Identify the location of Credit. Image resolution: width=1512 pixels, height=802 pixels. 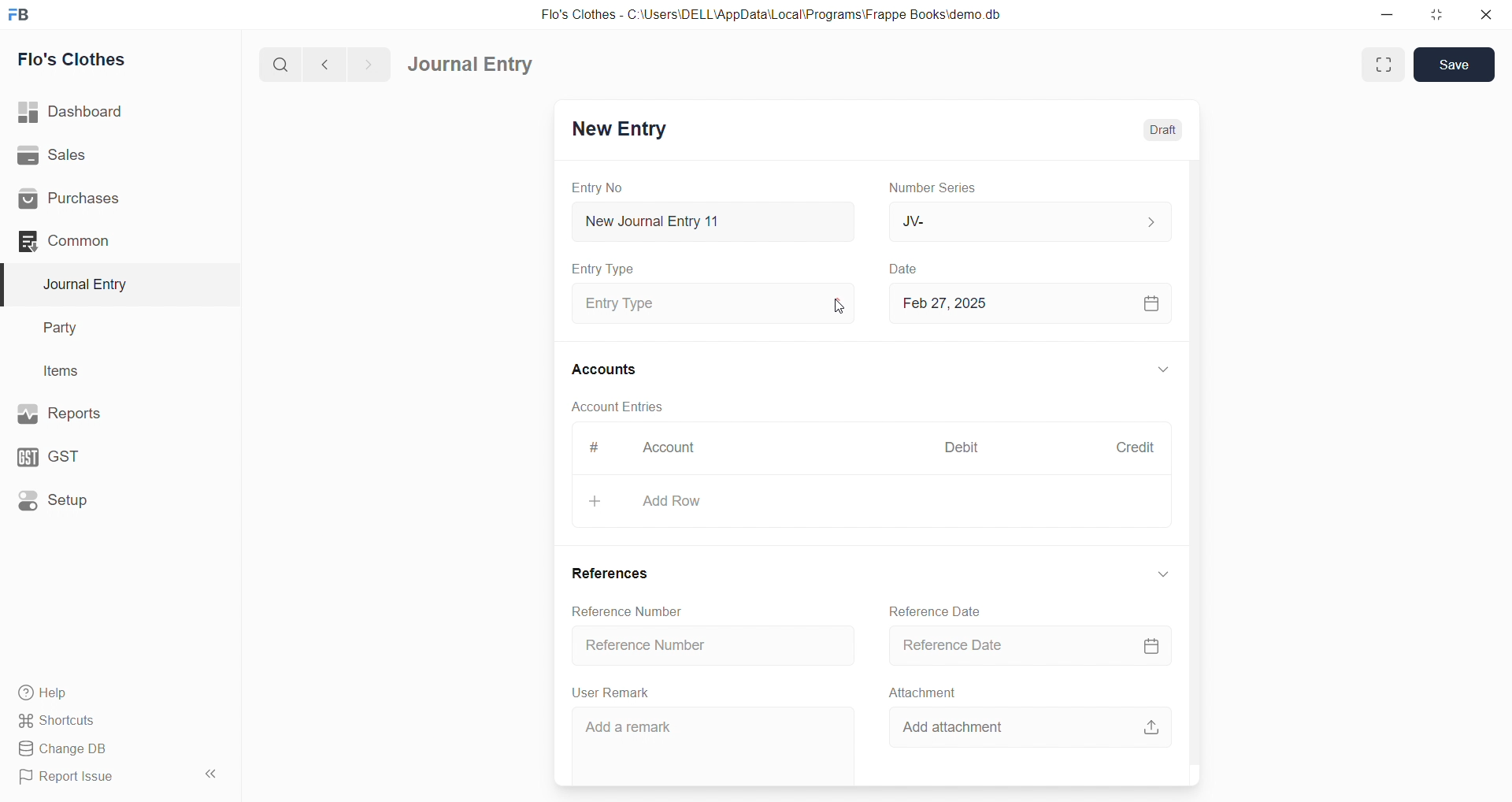
(1137, 448).